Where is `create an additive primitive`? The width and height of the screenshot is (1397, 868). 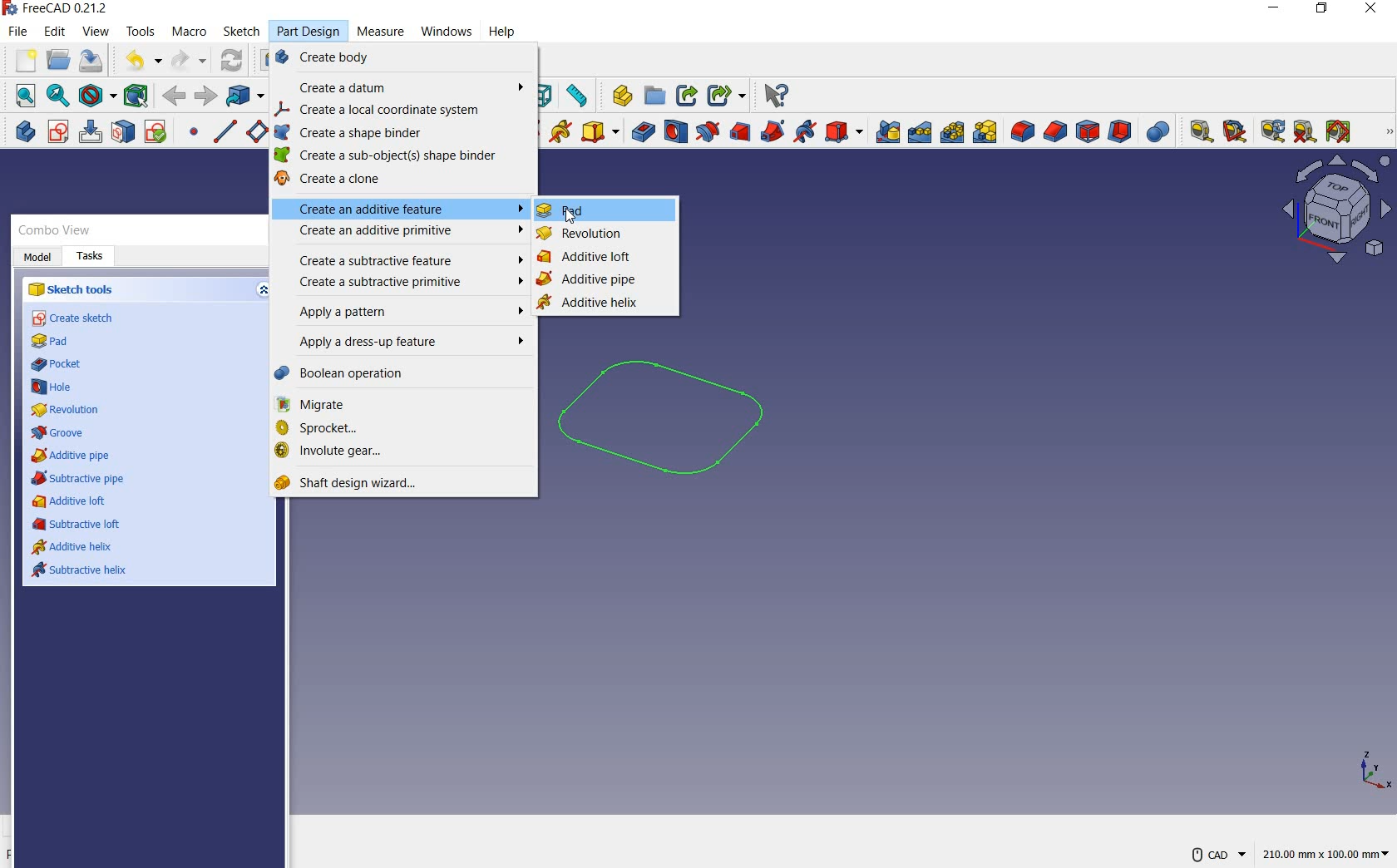 create an additive primitive is located at coordinates (403, 232).